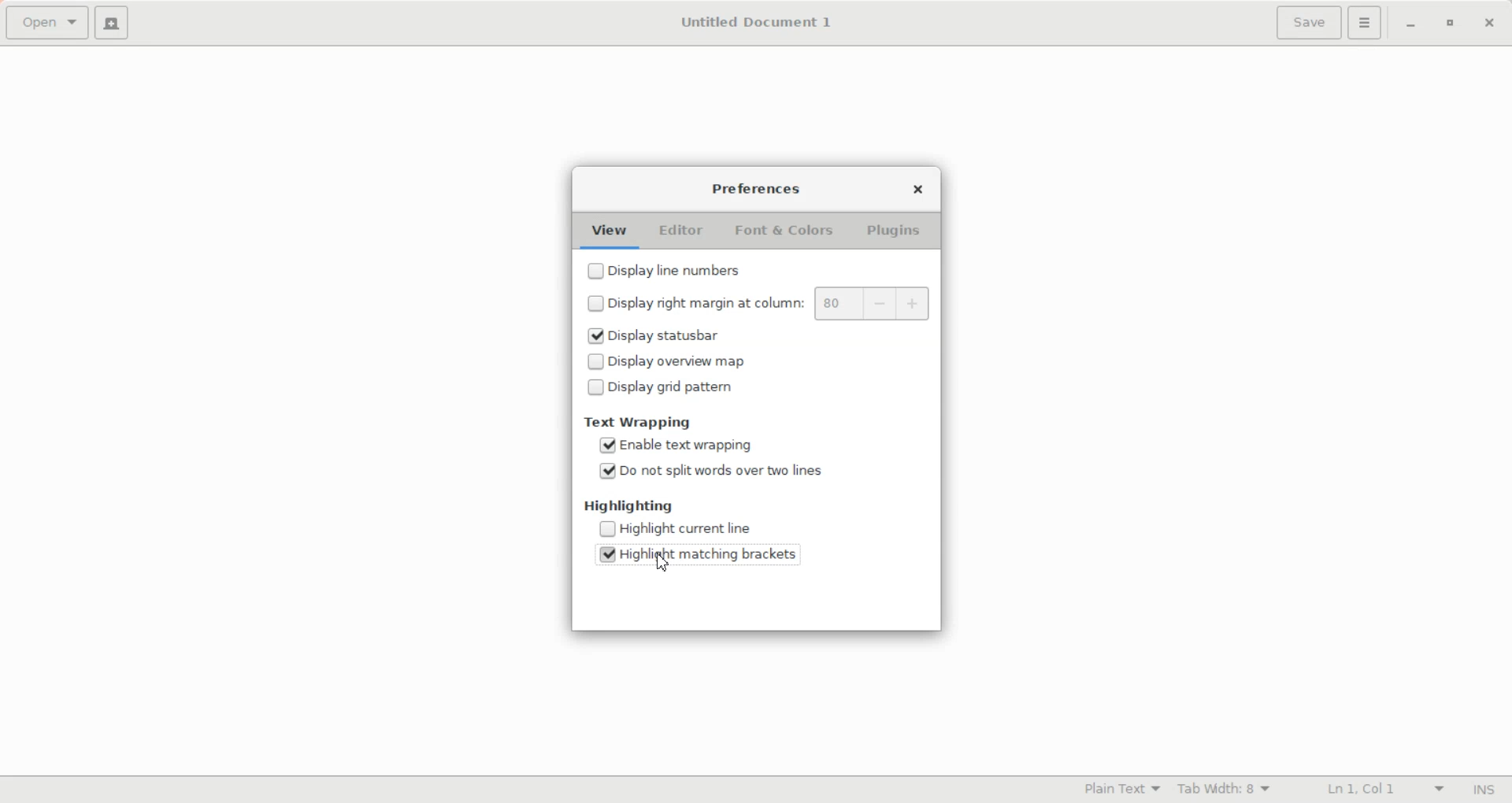  I want to click on (un)check Disable Display right margin at column, so click(691, 302).